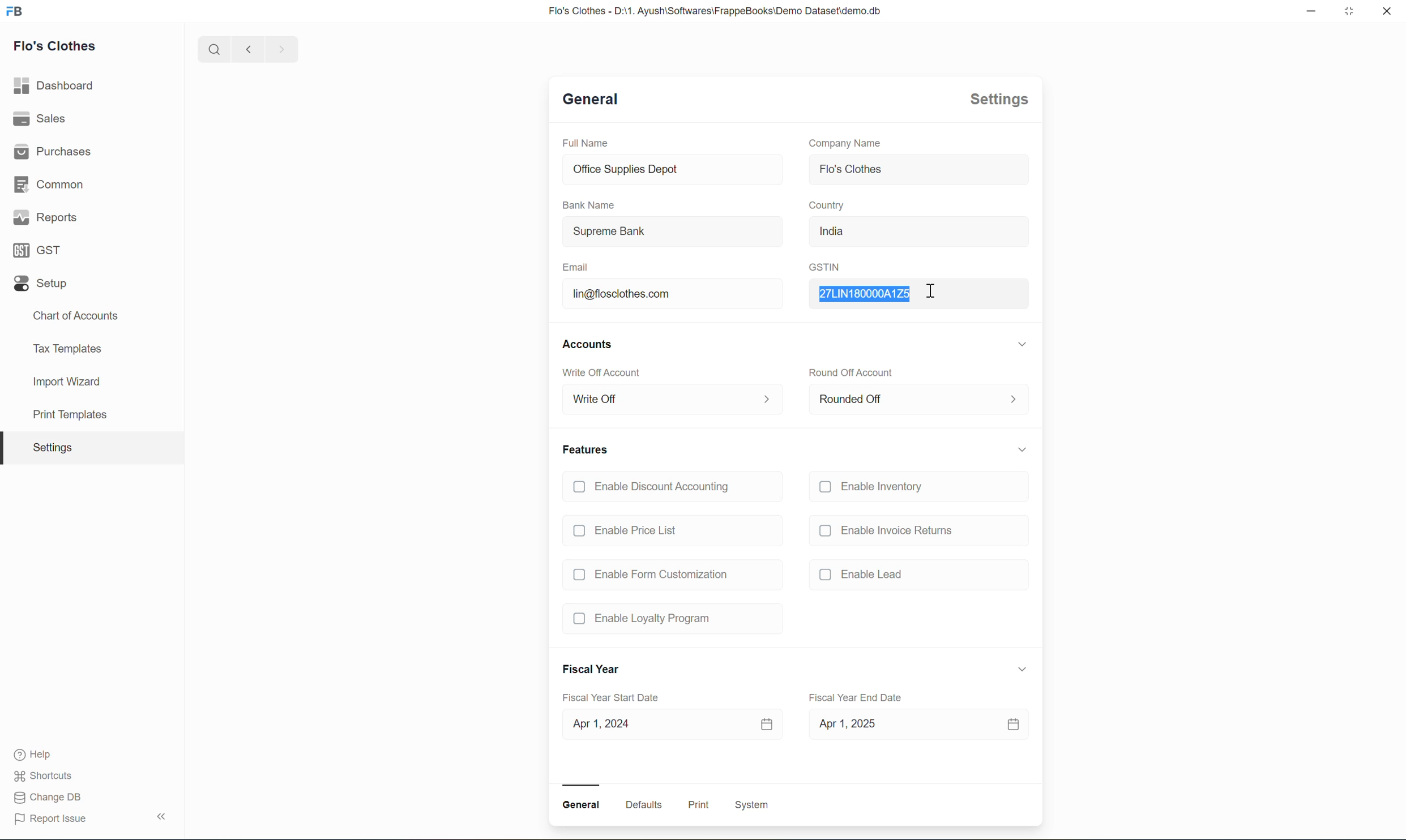  Describe the element at coordinates (918, 400) in the screenshot. I see `Rounded Off` at that location.